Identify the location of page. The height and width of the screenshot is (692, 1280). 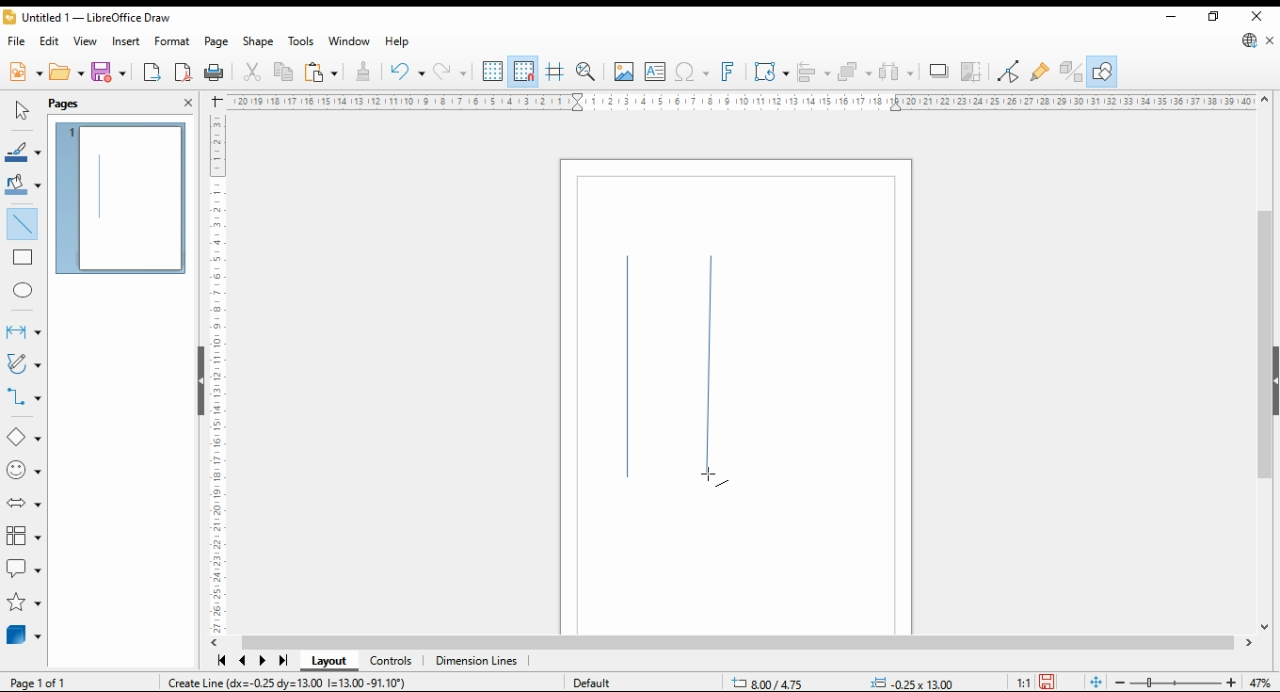
(216, 42).